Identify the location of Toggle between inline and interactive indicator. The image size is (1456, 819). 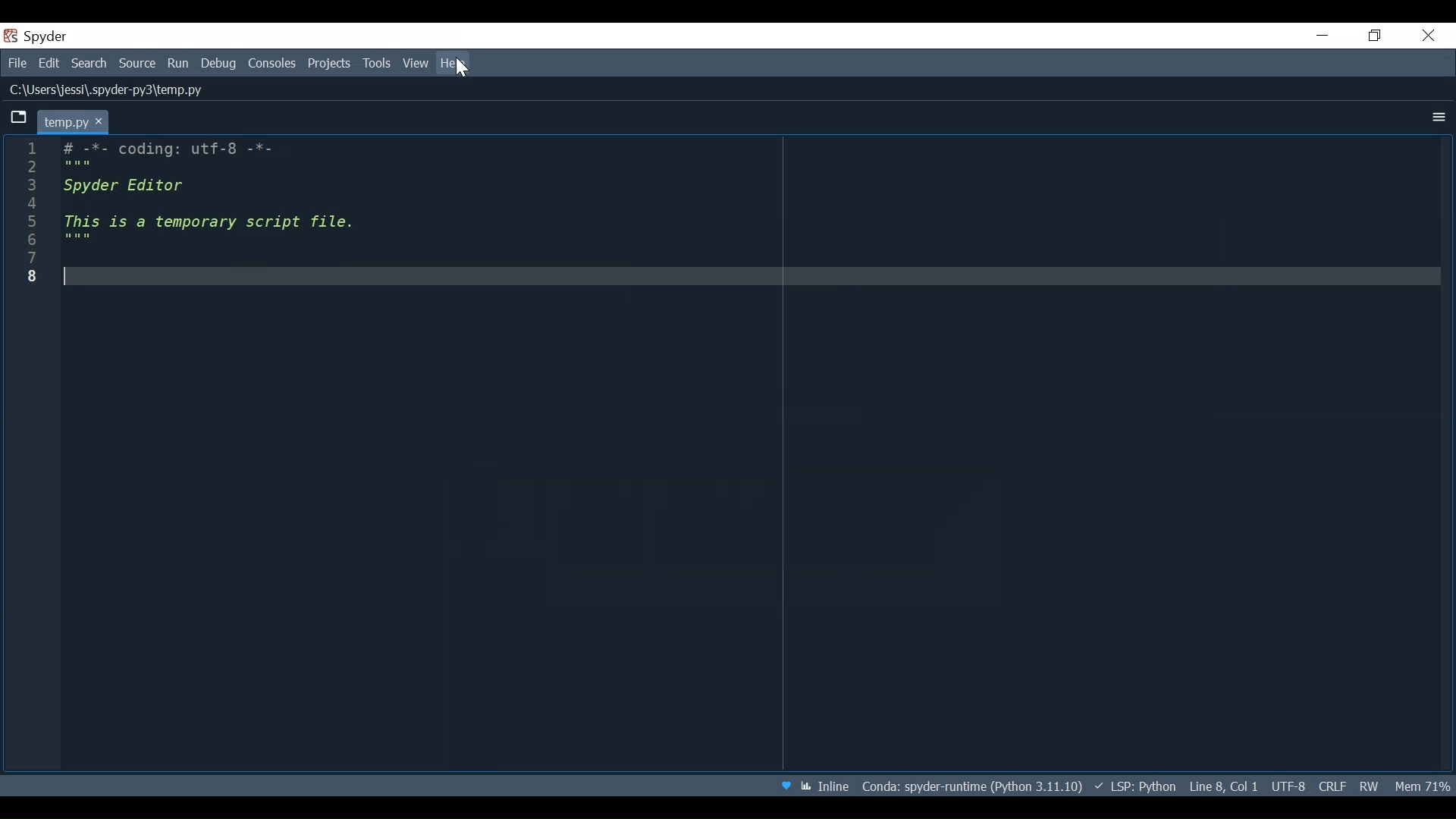
(829, 787).